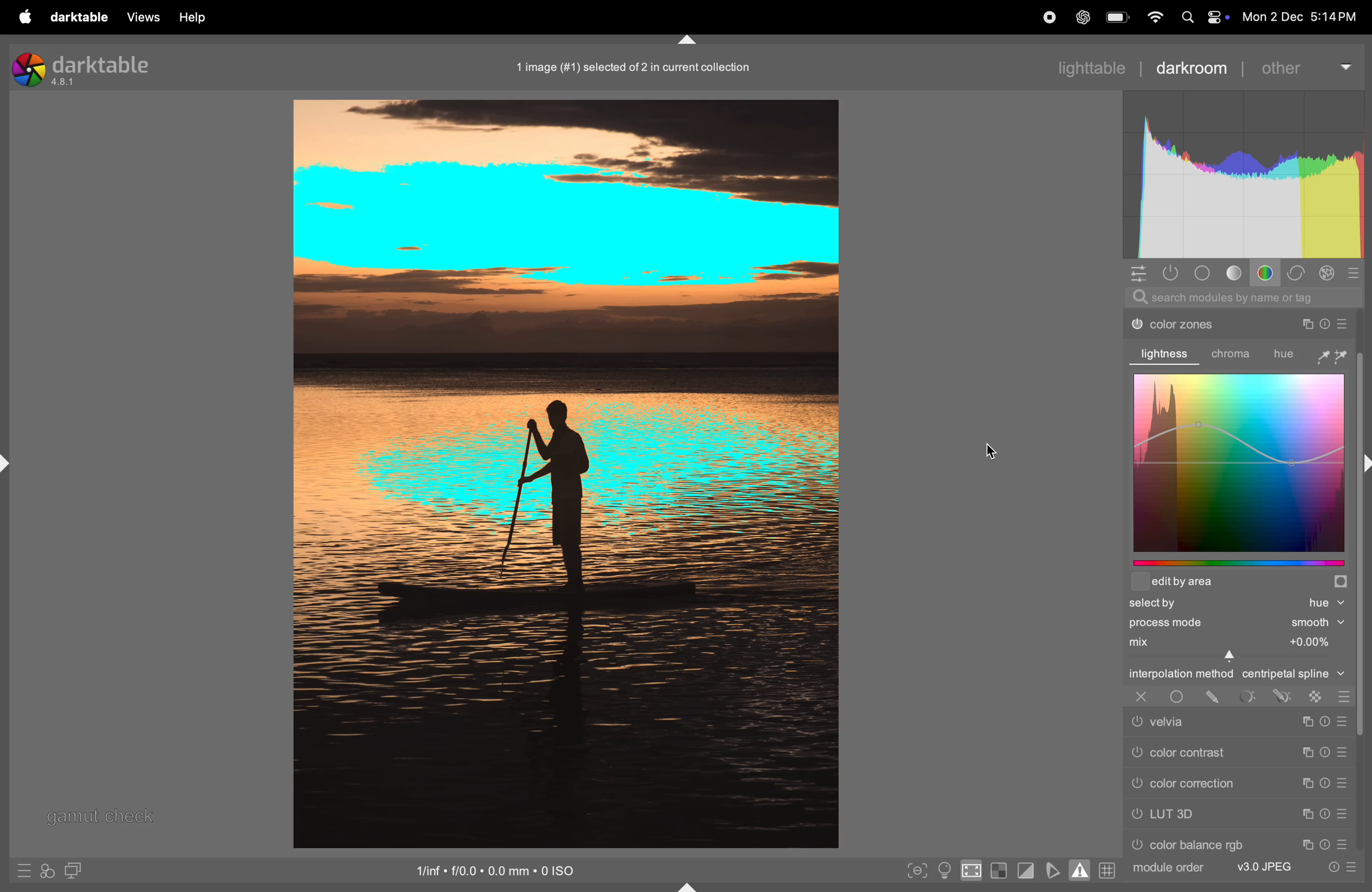 Image resolution: width=1372 pixels, height=892 pixels. What do you see at coordinates (1238, 463) in the screenshot?
I see `color graphs` at bounding box center [1238, 463].